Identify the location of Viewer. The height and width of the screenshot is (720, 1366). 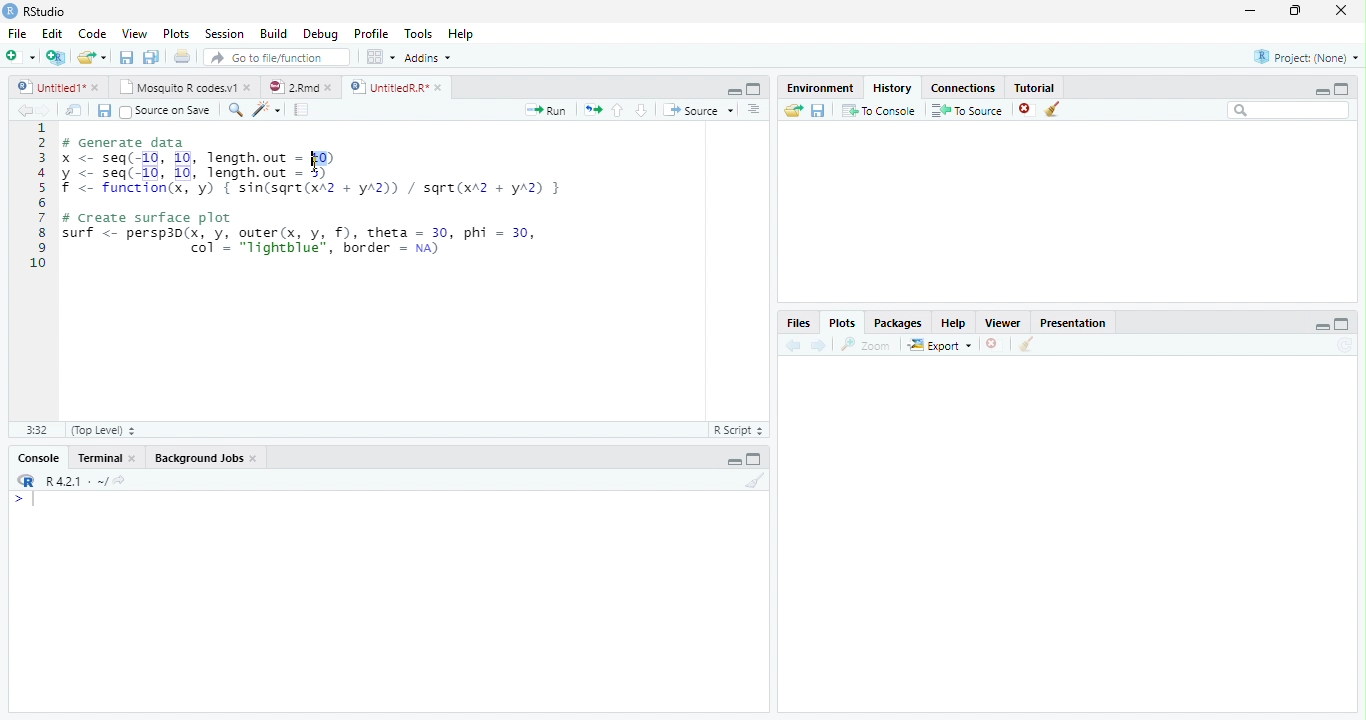
(1002, 322).